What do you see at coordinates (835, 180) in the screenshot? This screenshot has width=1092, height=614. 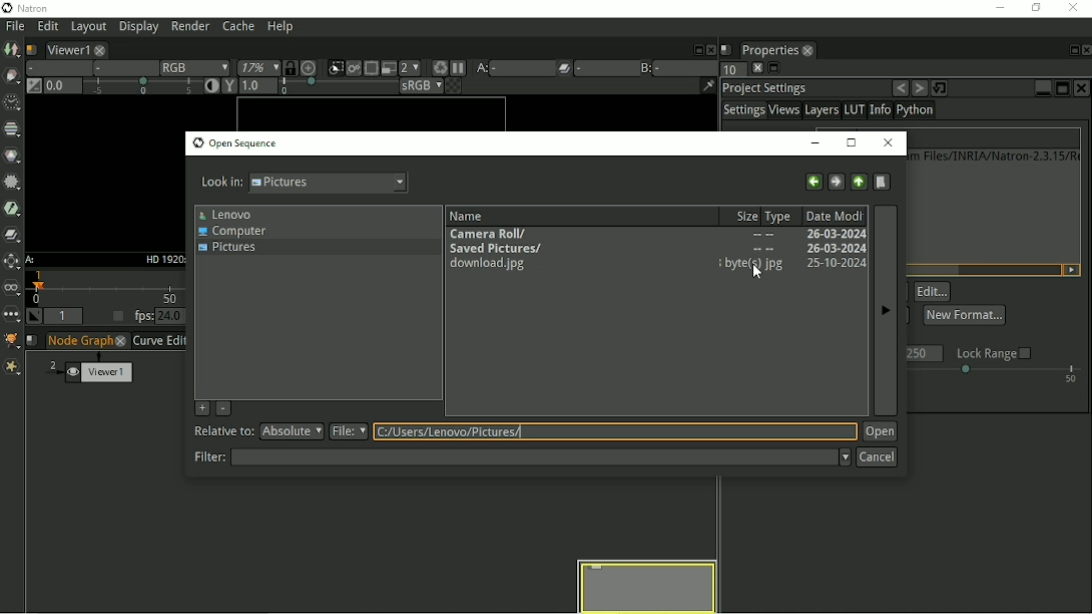 I see `Go forward` at bounding box center [835, 180].